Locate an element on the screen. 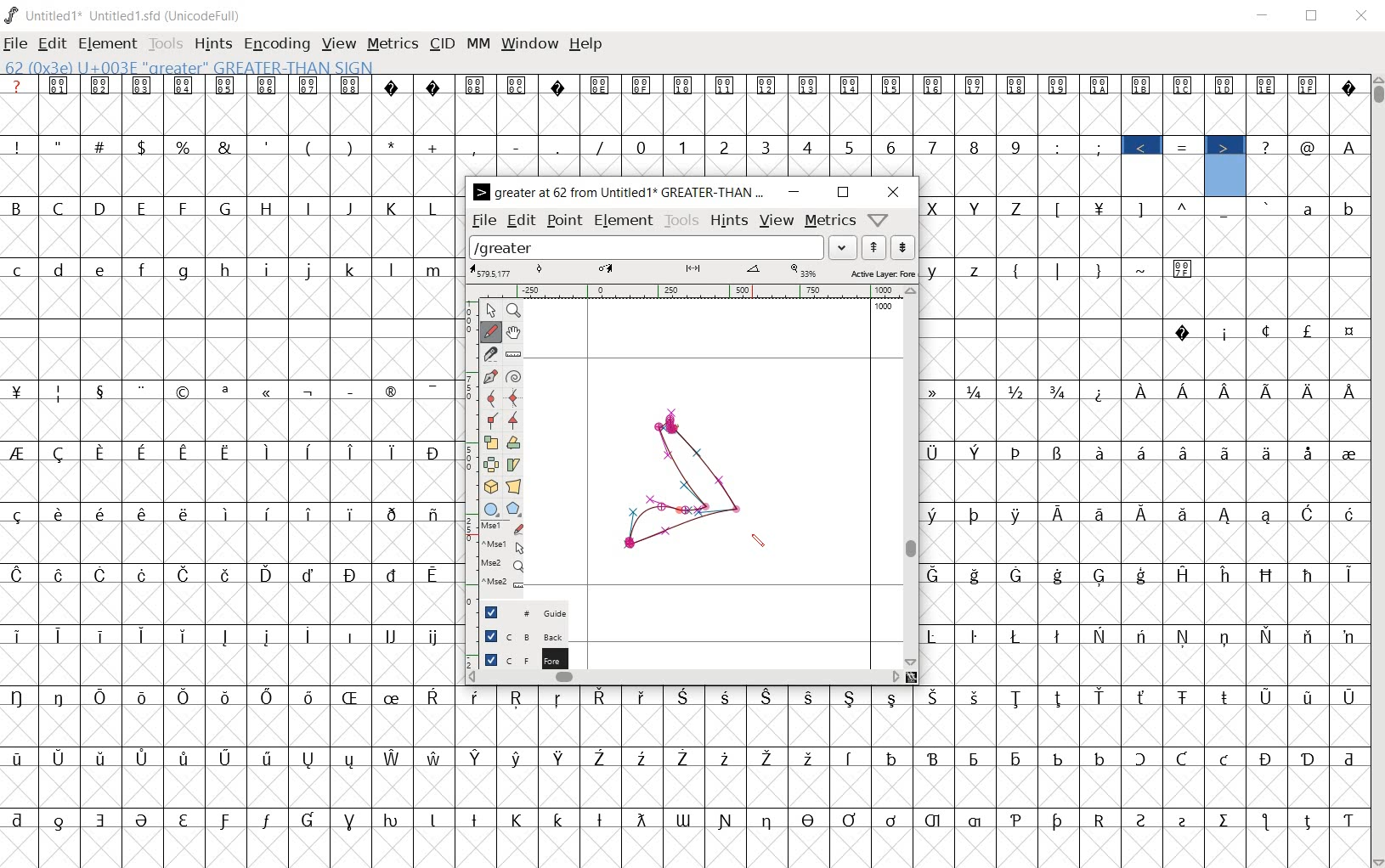 The image size is (1385, 868). change whether spiro is active or not is located at coordinates (514, 375).